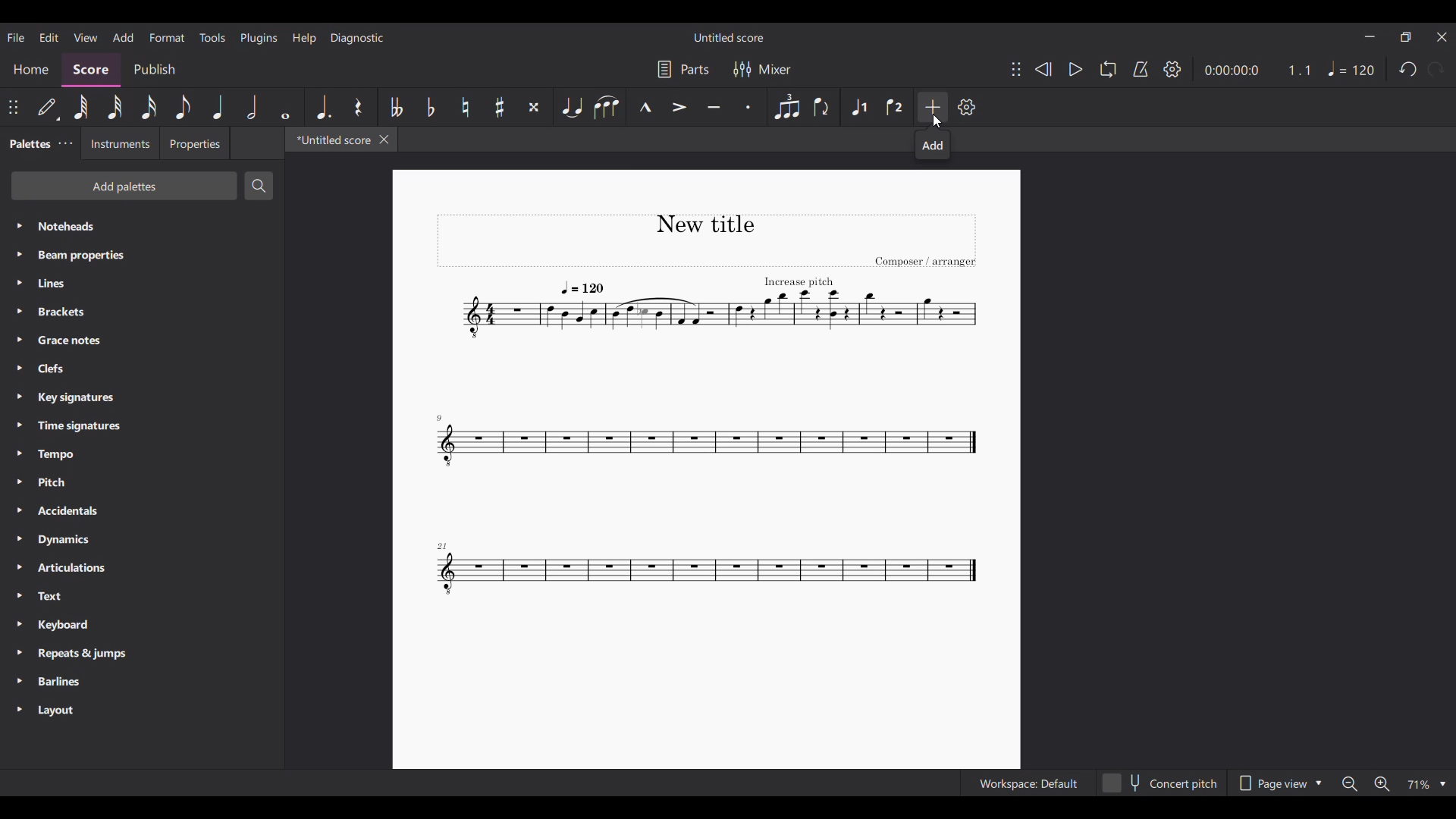  Describe the element at coordinates (706, 412) in the screenshot. I see `Current score` at that location.